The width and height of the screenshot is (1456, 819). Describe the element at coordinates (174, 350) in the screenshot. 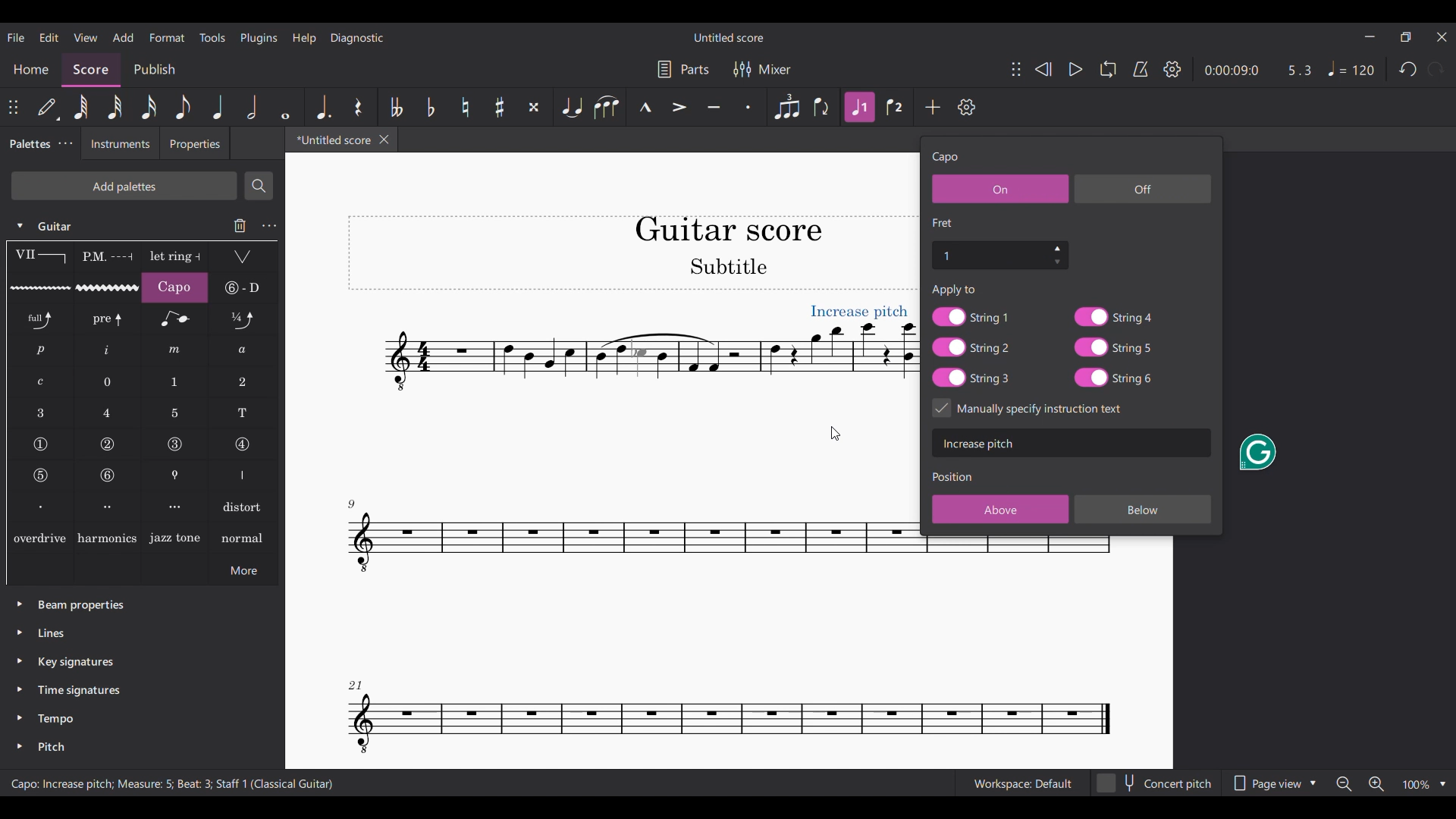

I see `RH guitar fingering m` at that location.